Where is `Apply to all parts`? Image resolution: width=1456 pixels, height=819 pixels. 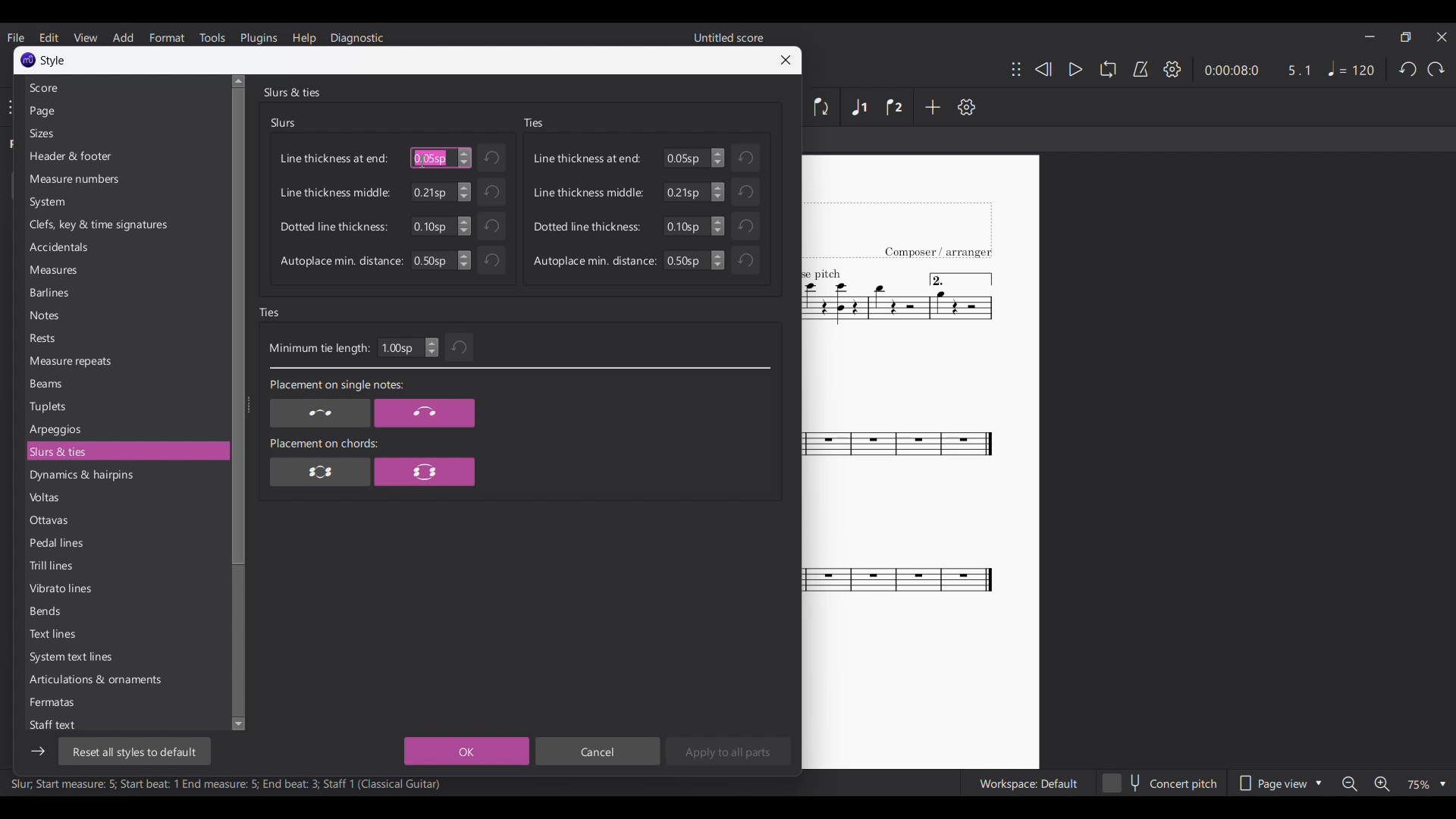 Apply to all parts is located at coordinates (728, 751).